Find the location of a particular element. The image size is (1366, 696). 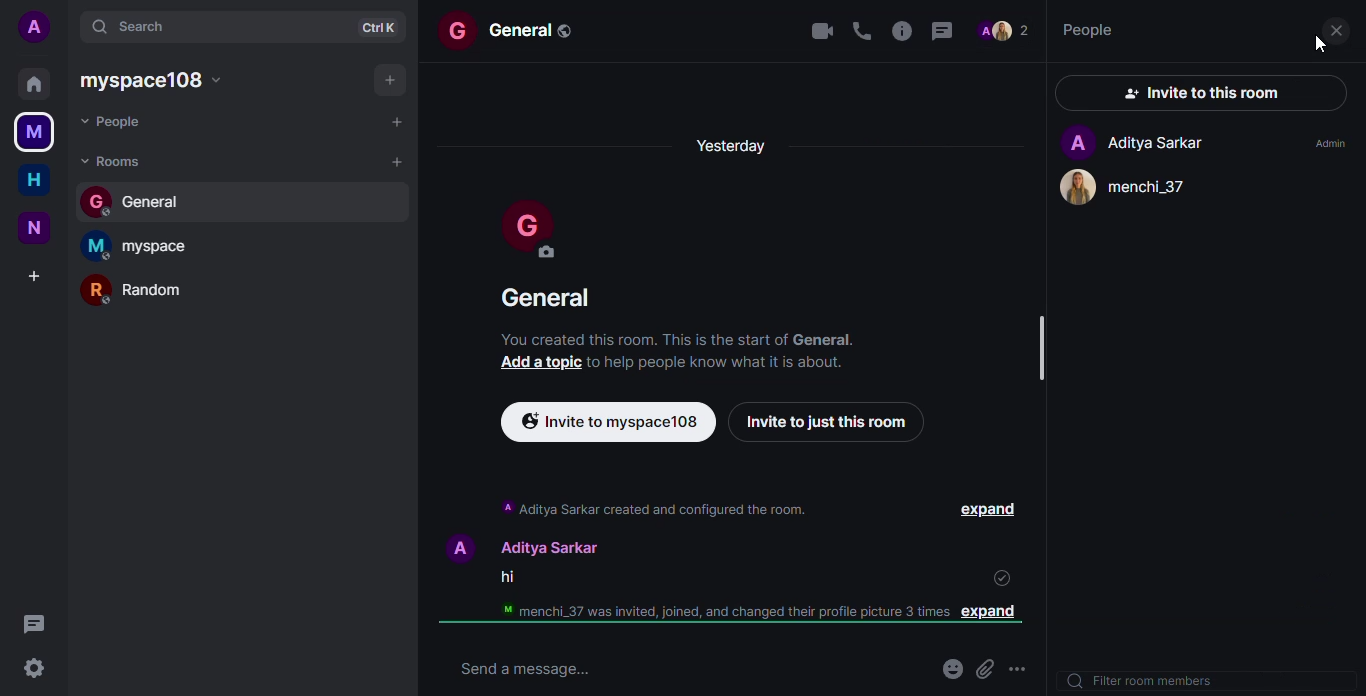

search is located at coordinates (135, 24).